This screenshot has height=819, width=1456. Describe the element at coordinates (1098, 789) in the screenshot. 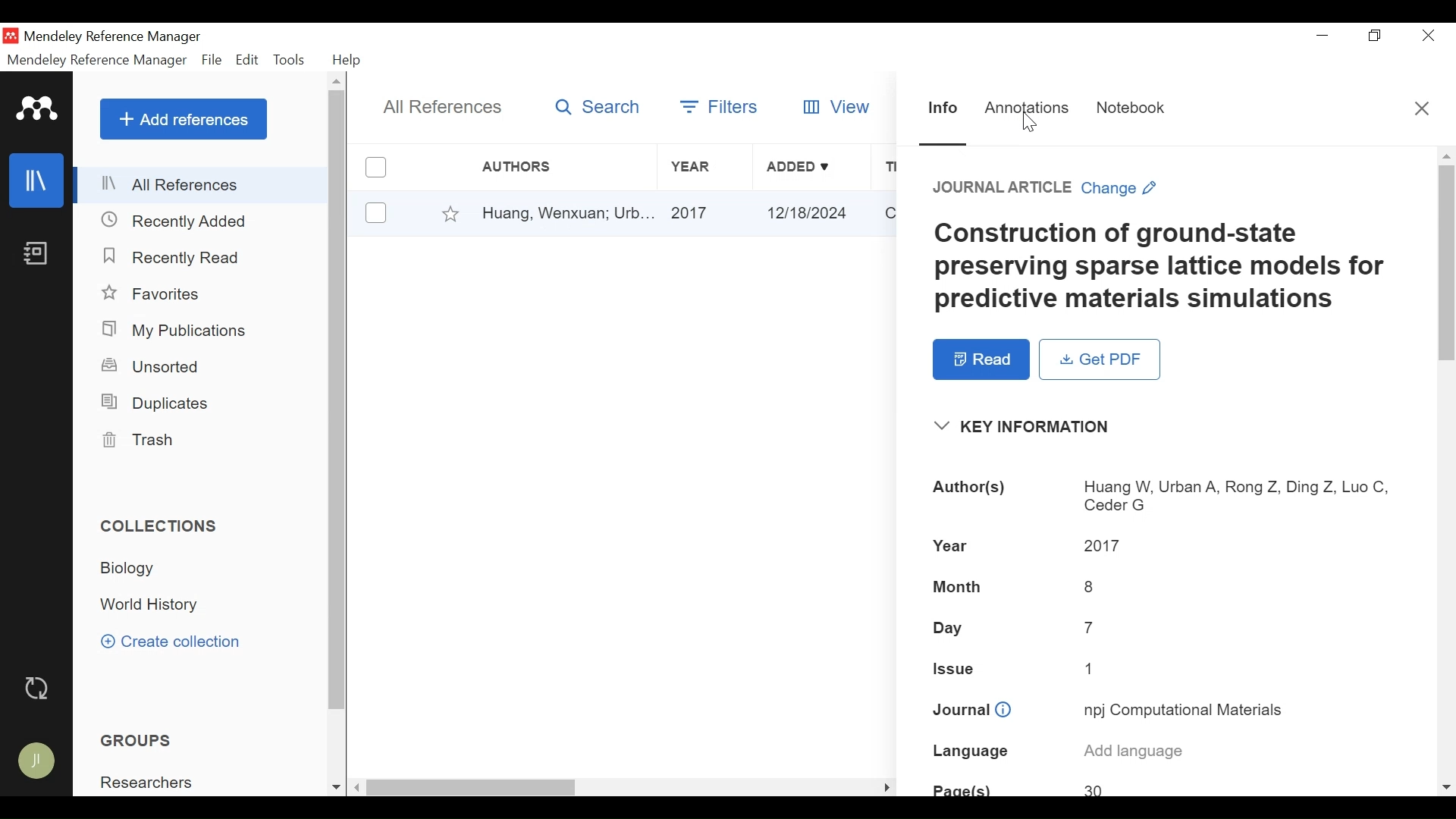

I see `30` at that location.